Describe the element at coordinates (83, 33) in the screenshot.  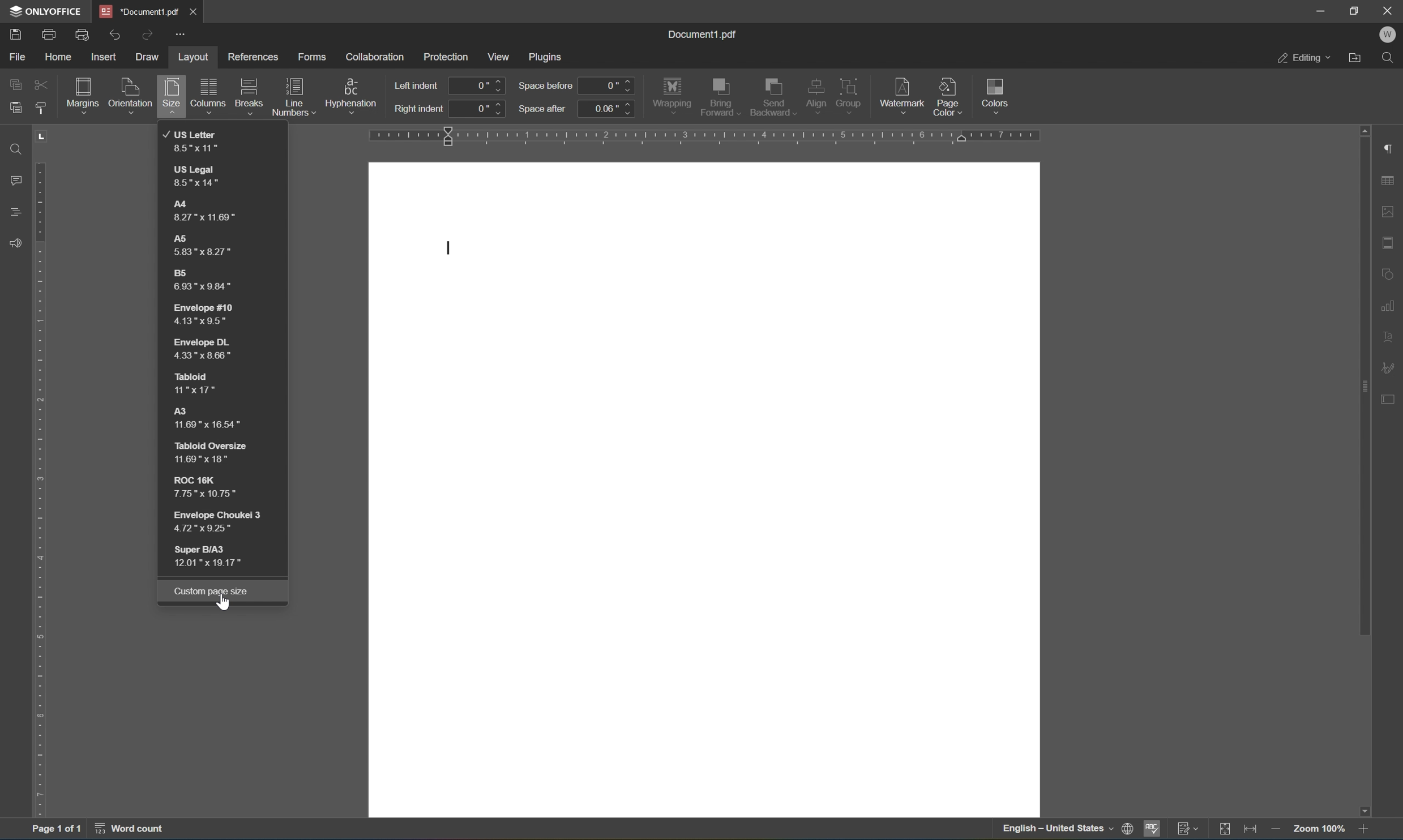
I see `print preview` at that location.